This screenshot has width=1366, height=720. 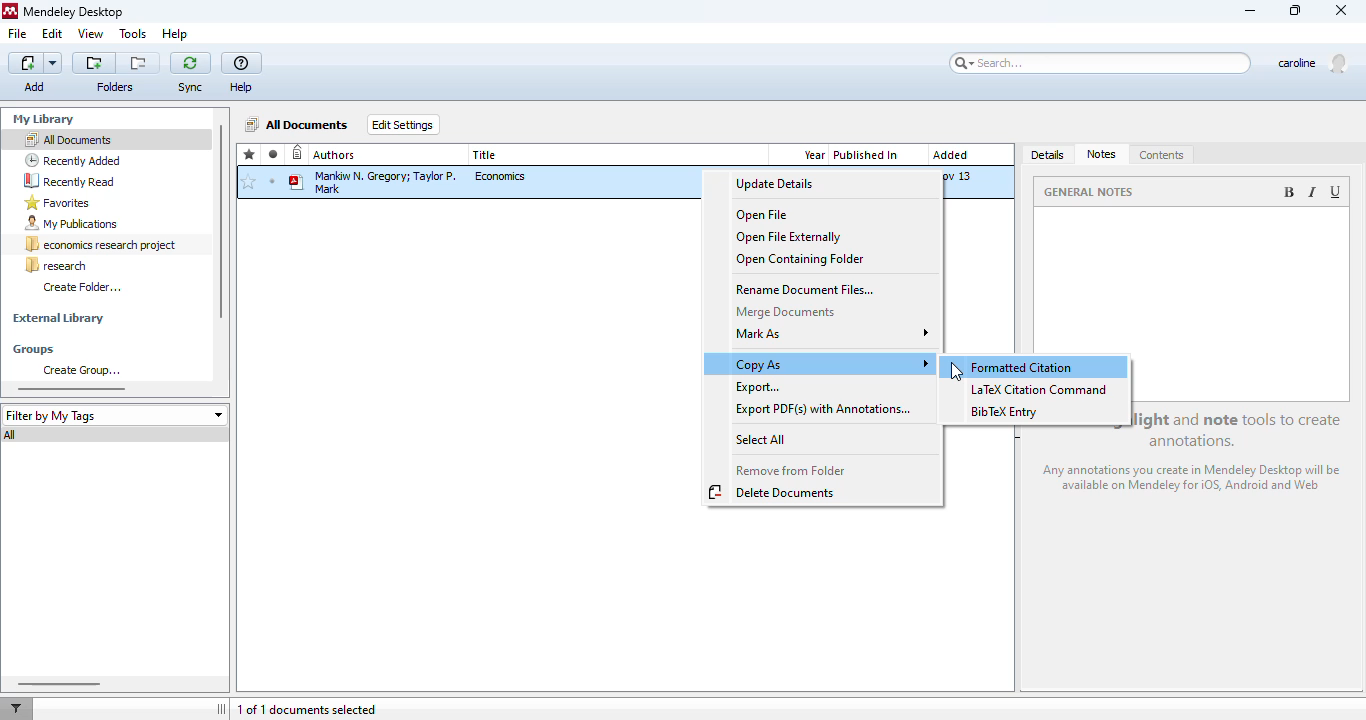 I want to click on remove from folder, so click(x=792, y=470).